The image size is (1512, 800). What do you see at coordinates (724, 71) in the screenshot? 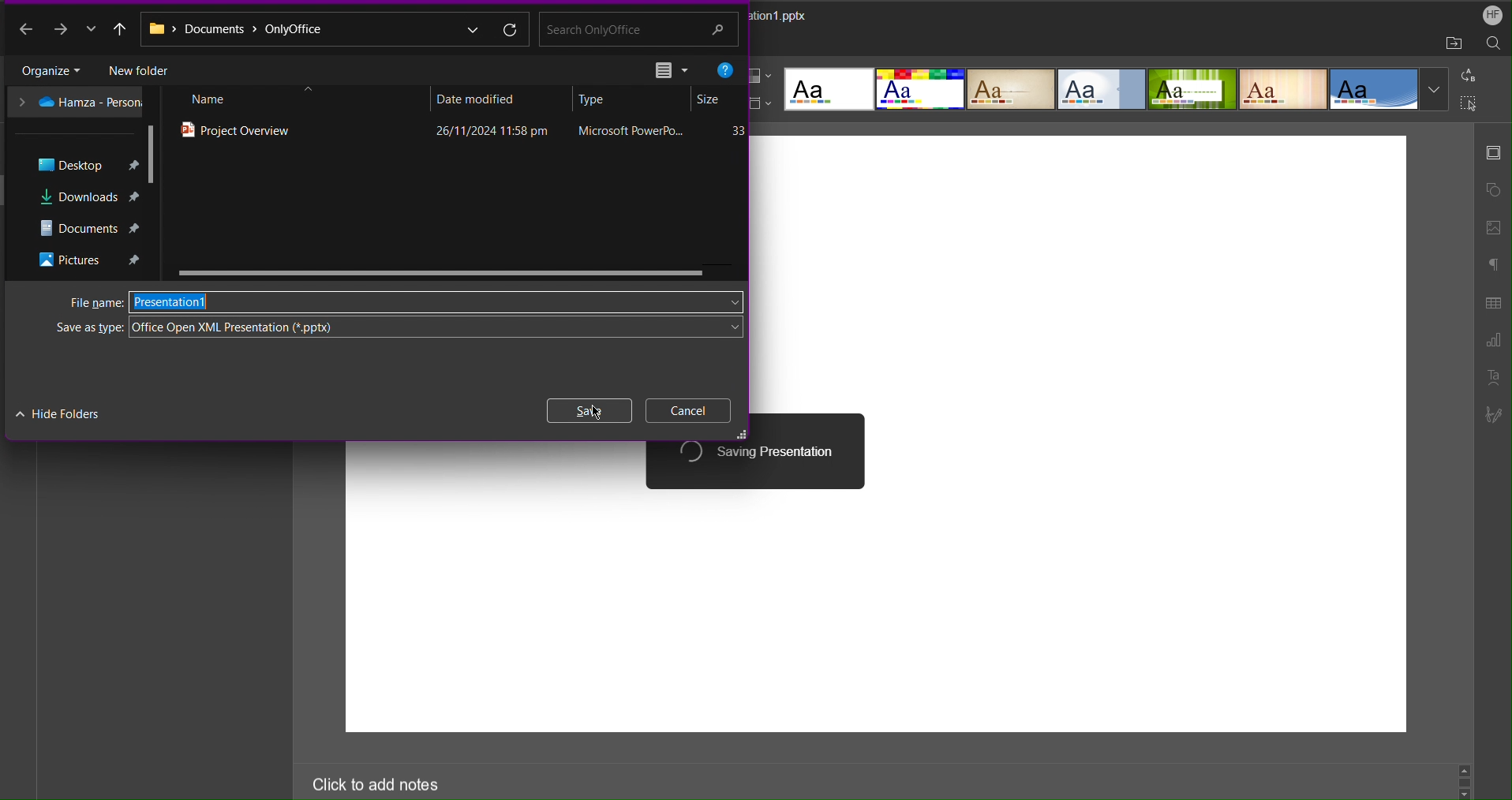
I see `Help` at bounding box center [724, 71].